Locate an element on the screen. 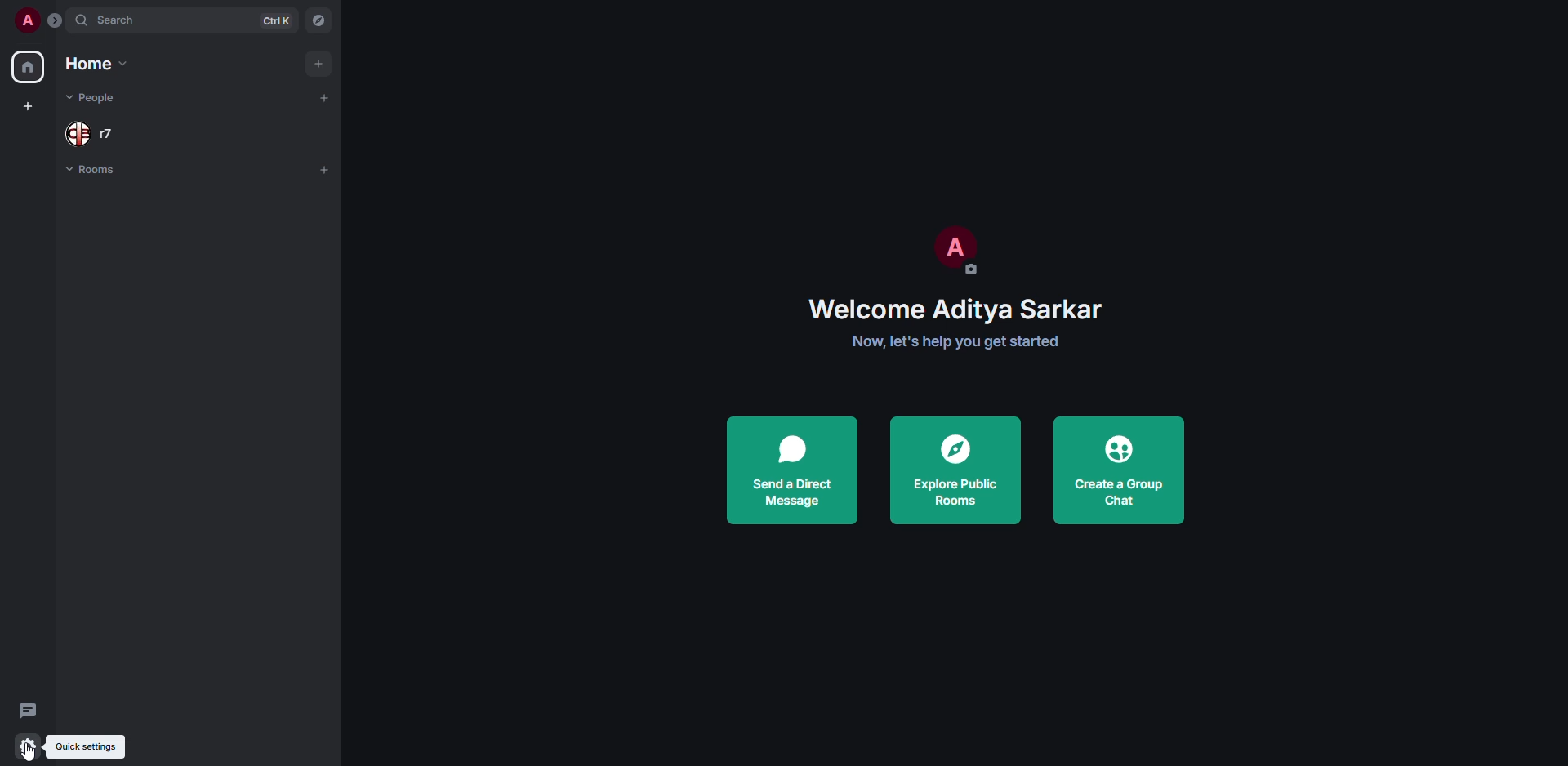  create a group chat is located at coordinates (1117, 470).